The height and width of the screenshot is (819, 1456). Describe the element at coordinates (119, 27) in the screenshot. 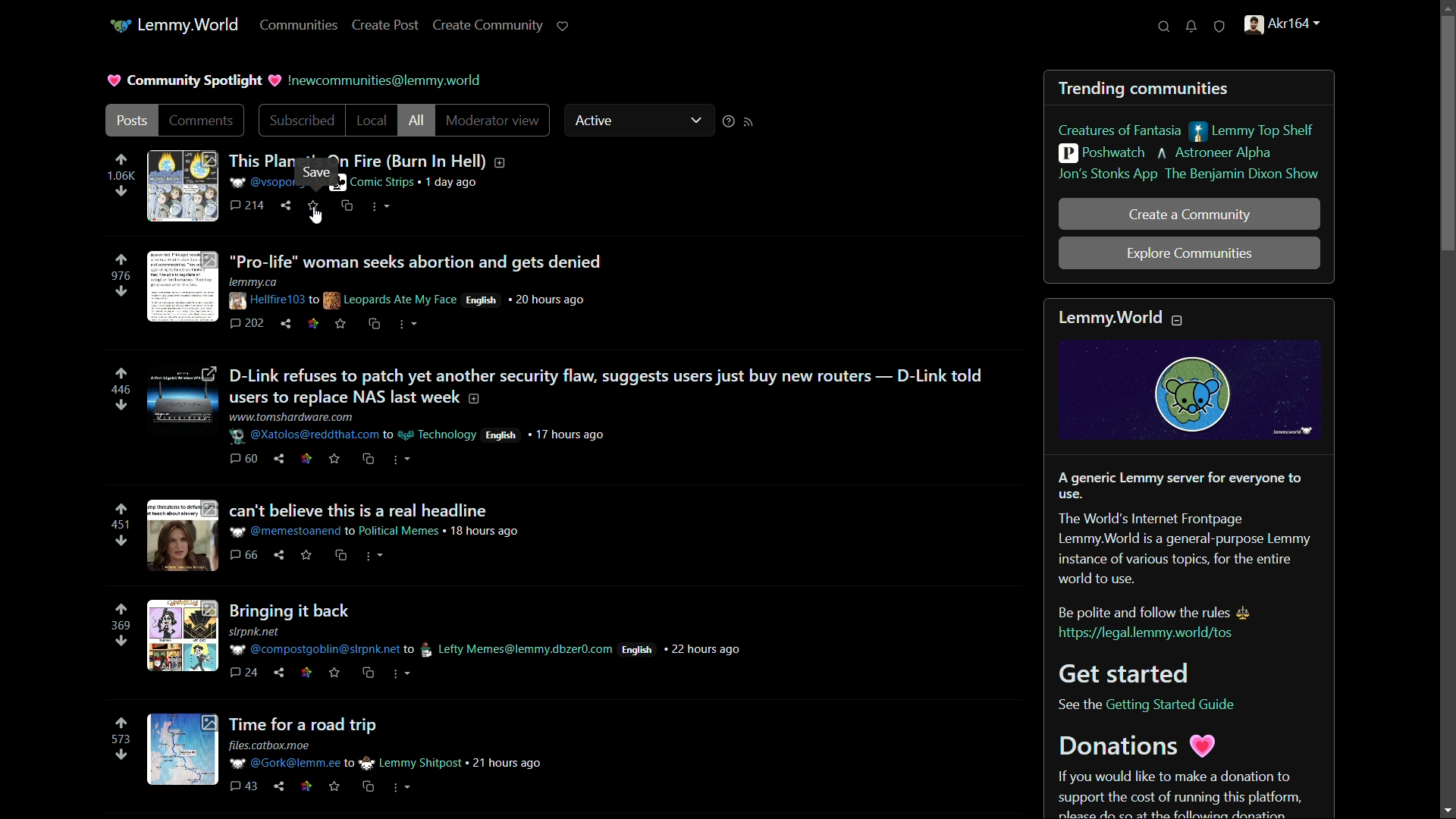

I see `icon` at that location.